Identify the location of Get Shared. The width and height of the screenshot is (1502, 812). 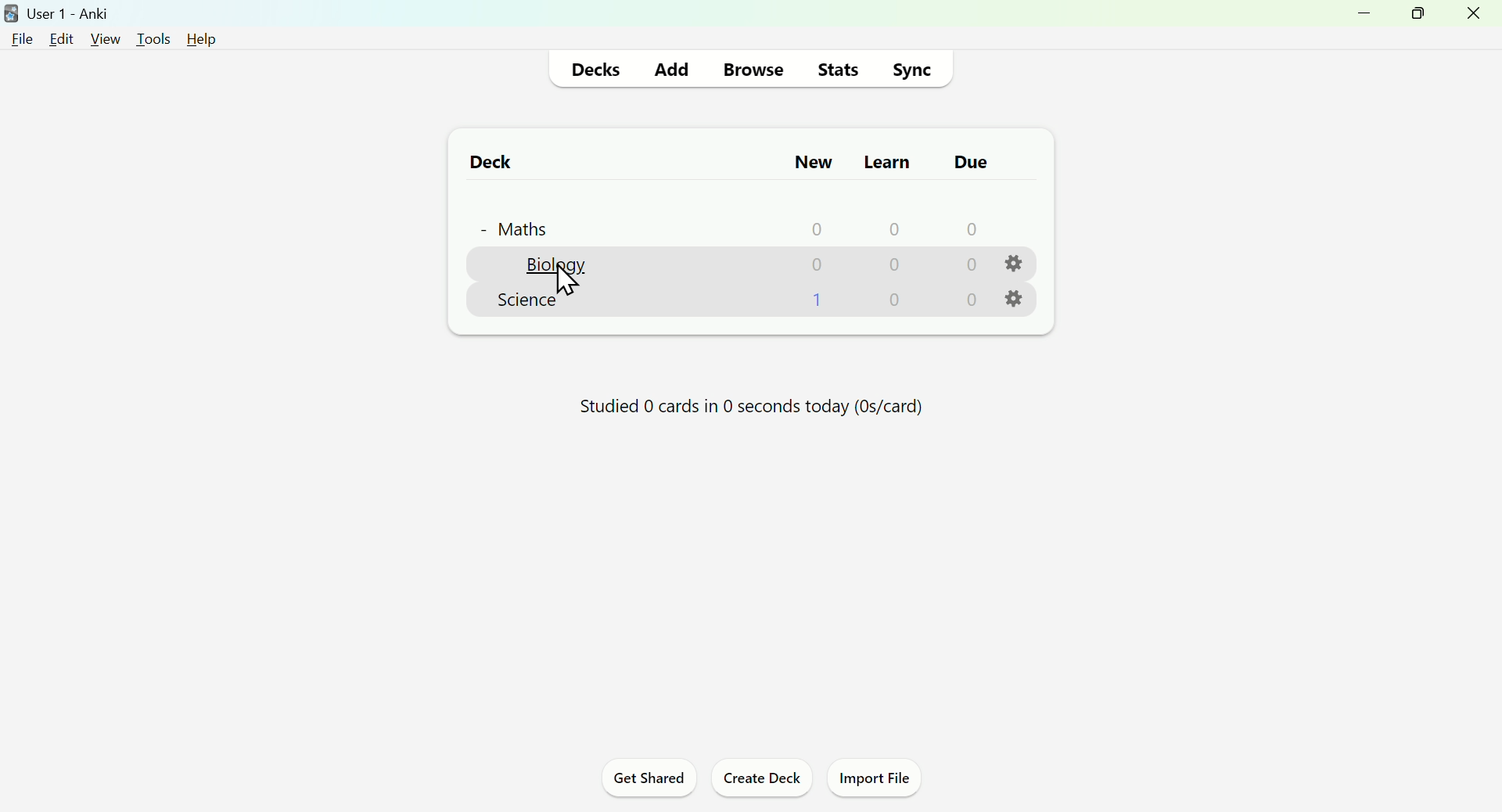
(643, 781).